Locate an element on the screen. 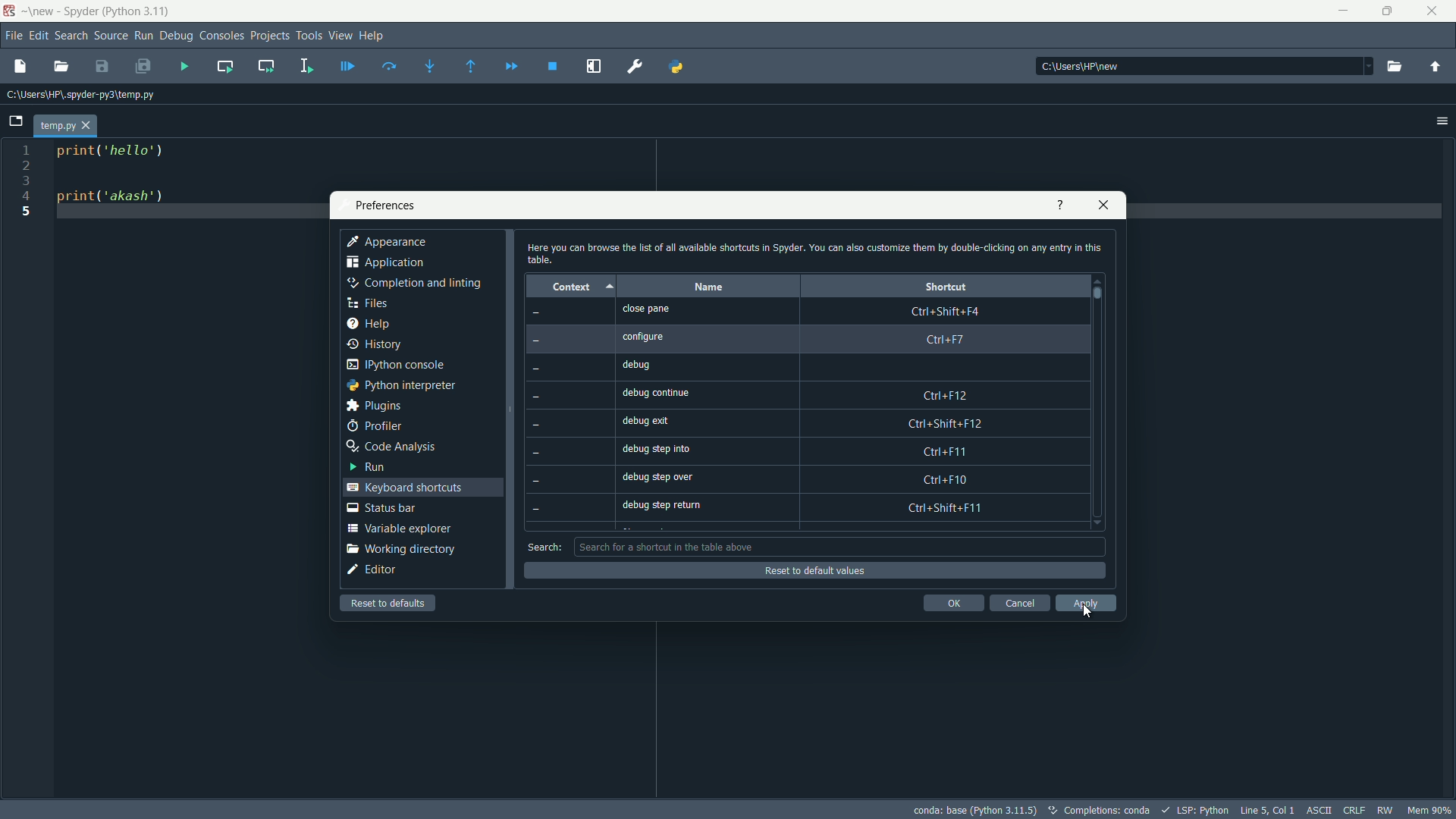 The height and width of the screenshot is (819, 1456). files is located at coordinates (367, 303).